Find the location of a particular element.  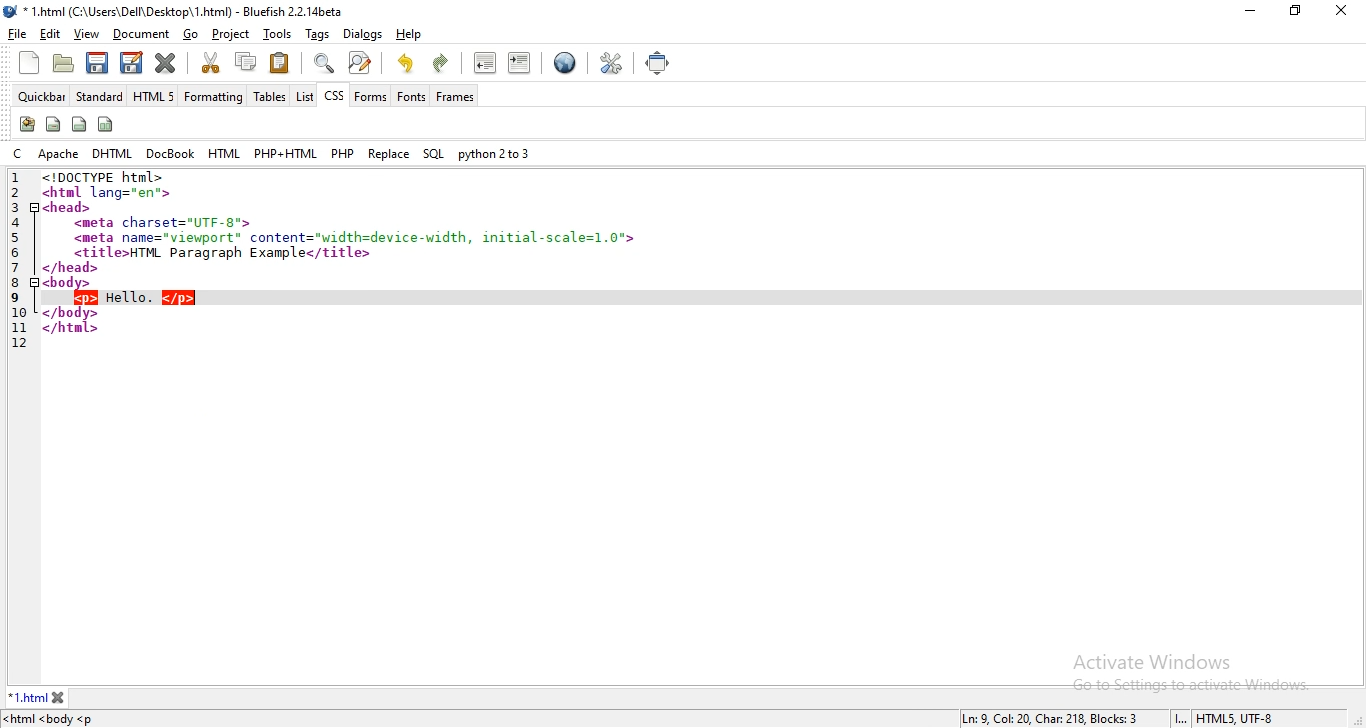

<meta charset="UTF-8"> is located at coordinates (164, 223).